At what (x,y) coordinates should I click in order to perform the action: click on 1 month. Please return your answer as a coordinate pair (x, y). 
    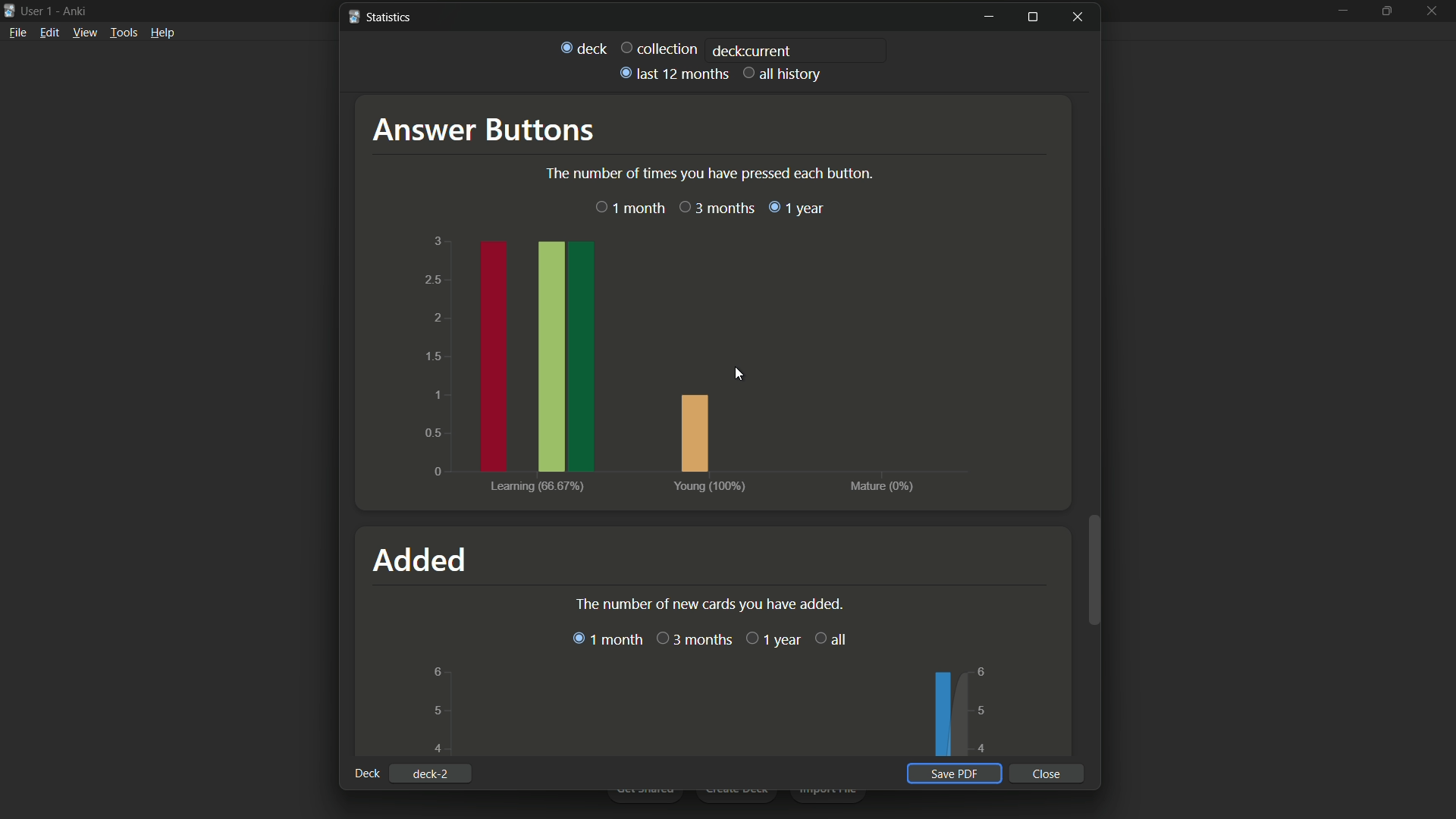
    Looking at the image, I should click on (607, 640).